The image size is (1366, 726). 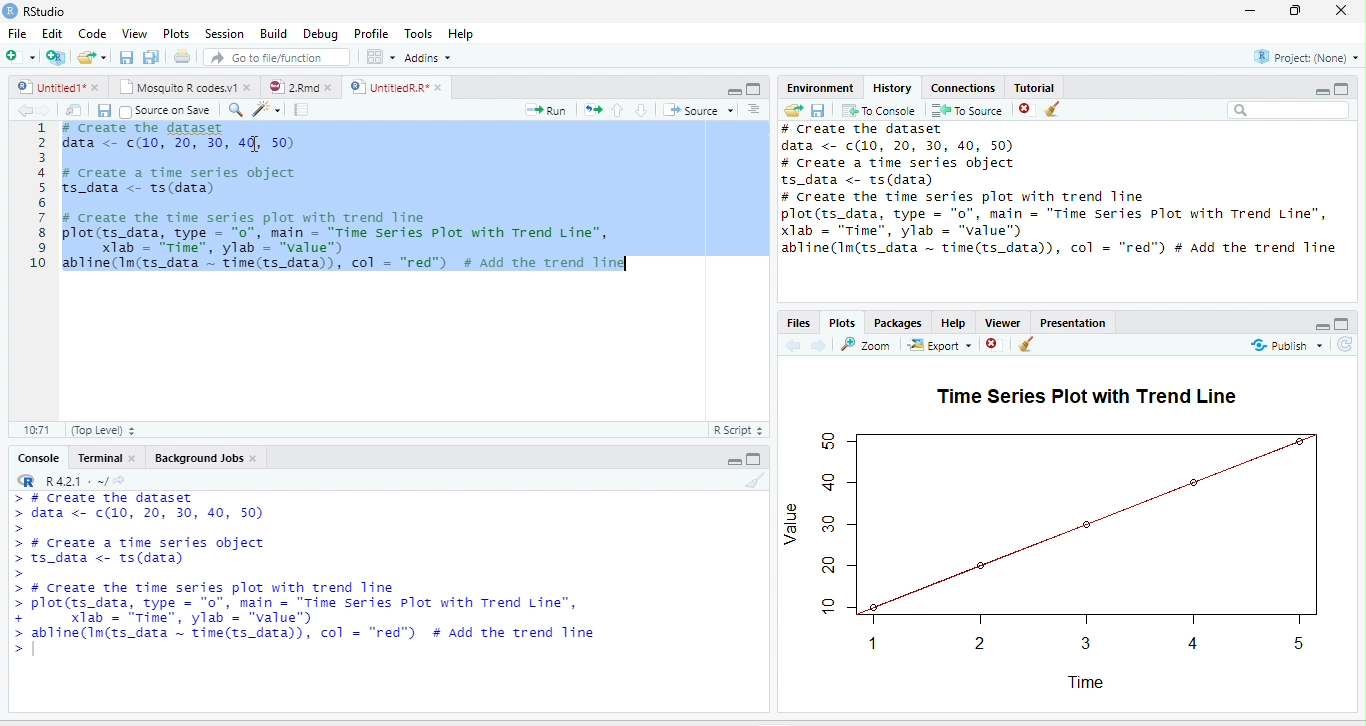 What do you see at coordinates (181, 56) in the screenshot?
I see `Print the current file` at bounding box center [181, 56].